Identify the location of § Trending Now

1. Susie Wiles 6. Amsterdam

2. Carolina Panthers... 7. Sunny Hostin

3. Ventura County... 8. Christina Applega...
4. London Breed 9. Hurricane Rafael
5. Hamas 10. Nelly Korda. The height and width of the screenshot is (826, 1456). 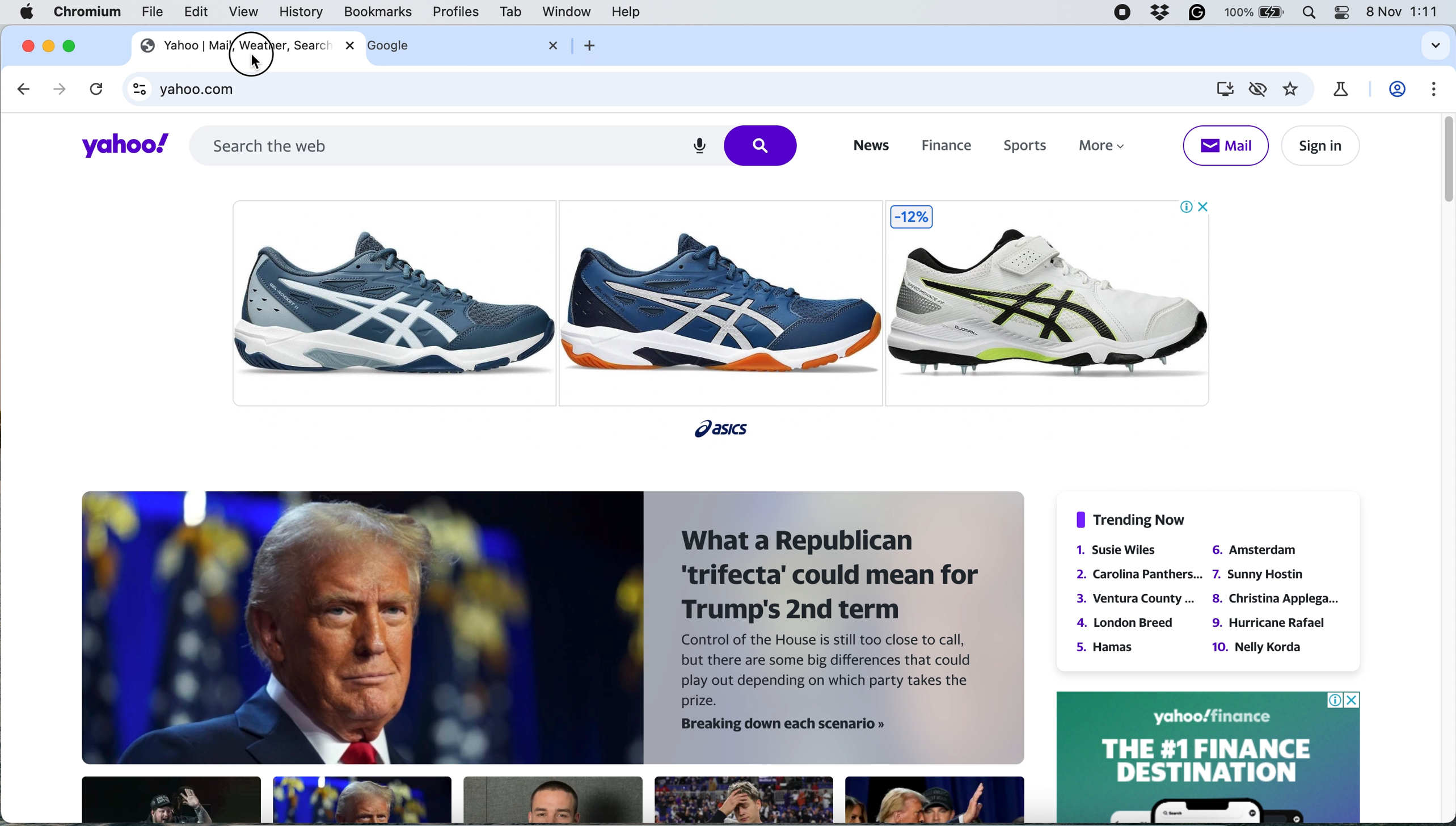
(1212, 587).